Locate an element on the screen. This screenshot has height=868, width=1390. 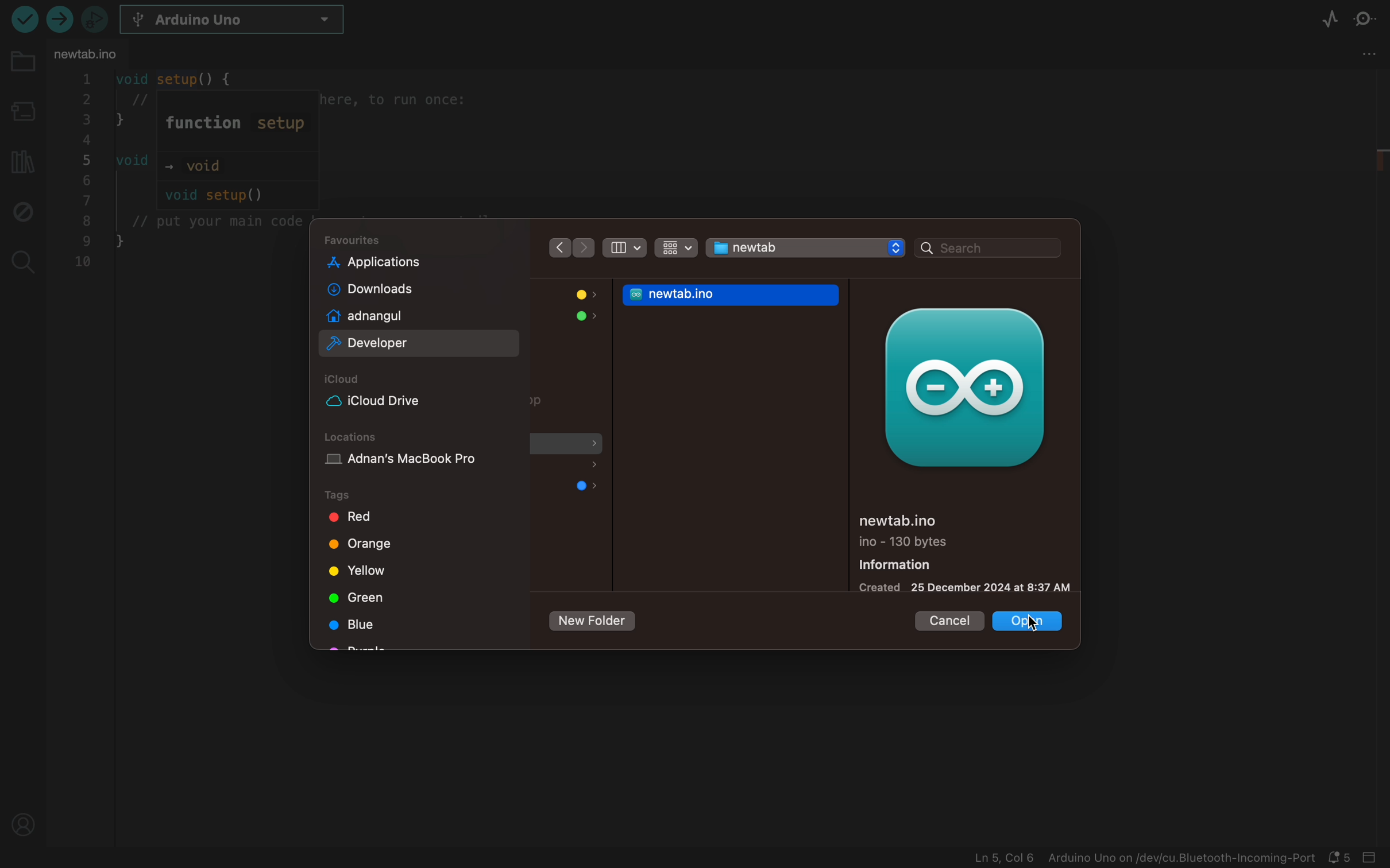
clicked is located at coordinates (1030, 625).